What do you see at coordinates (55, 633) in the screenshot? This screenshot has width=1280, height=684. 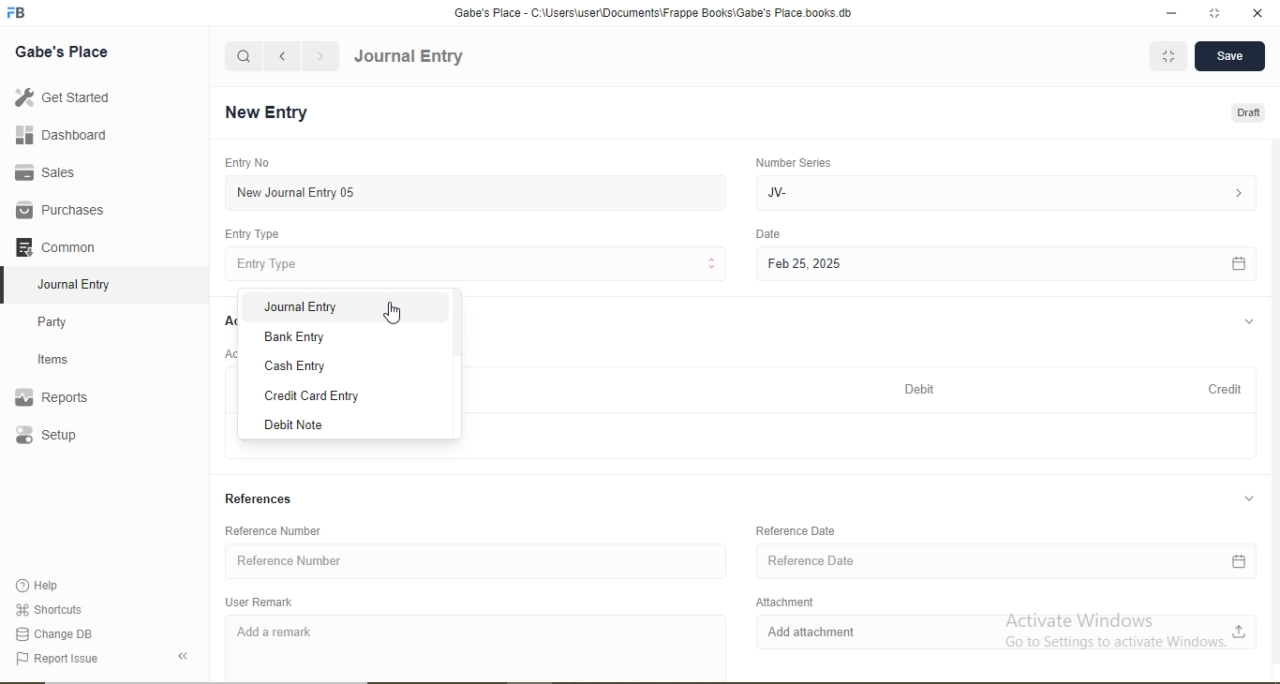 I see `Change DB` at bounding box center [55, 633].